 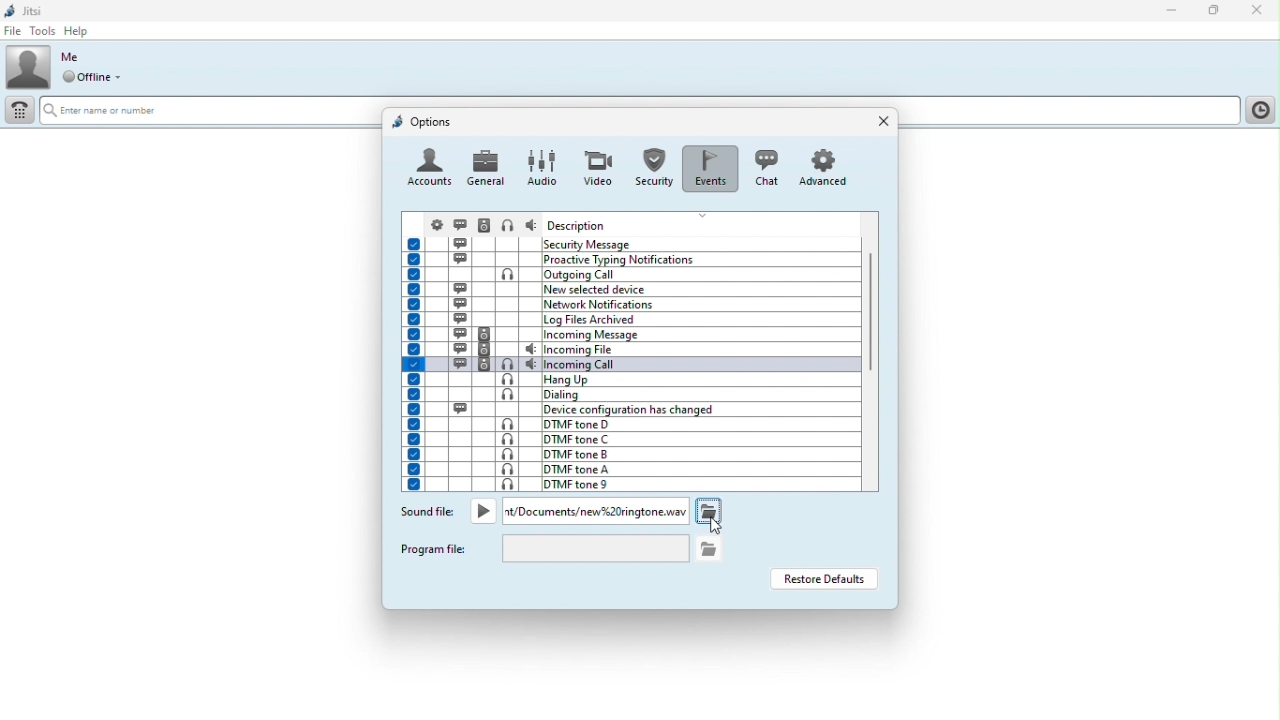 What do you see at coordinates (436, 548) in the screenshot?
I see `Program file` at bounding box center [436, 548].